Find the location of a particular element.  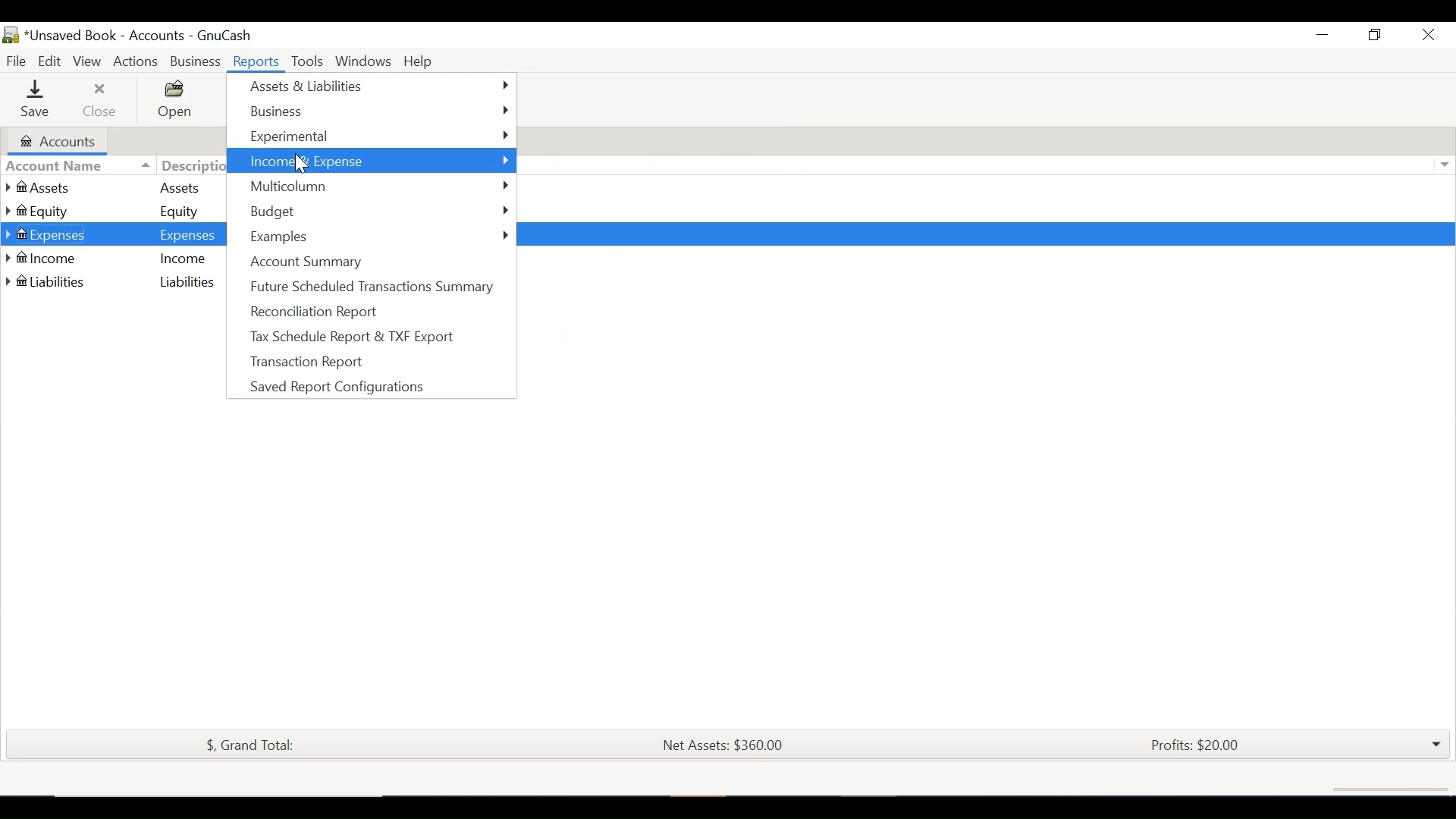

Actions is located at coordinates (136, 58).